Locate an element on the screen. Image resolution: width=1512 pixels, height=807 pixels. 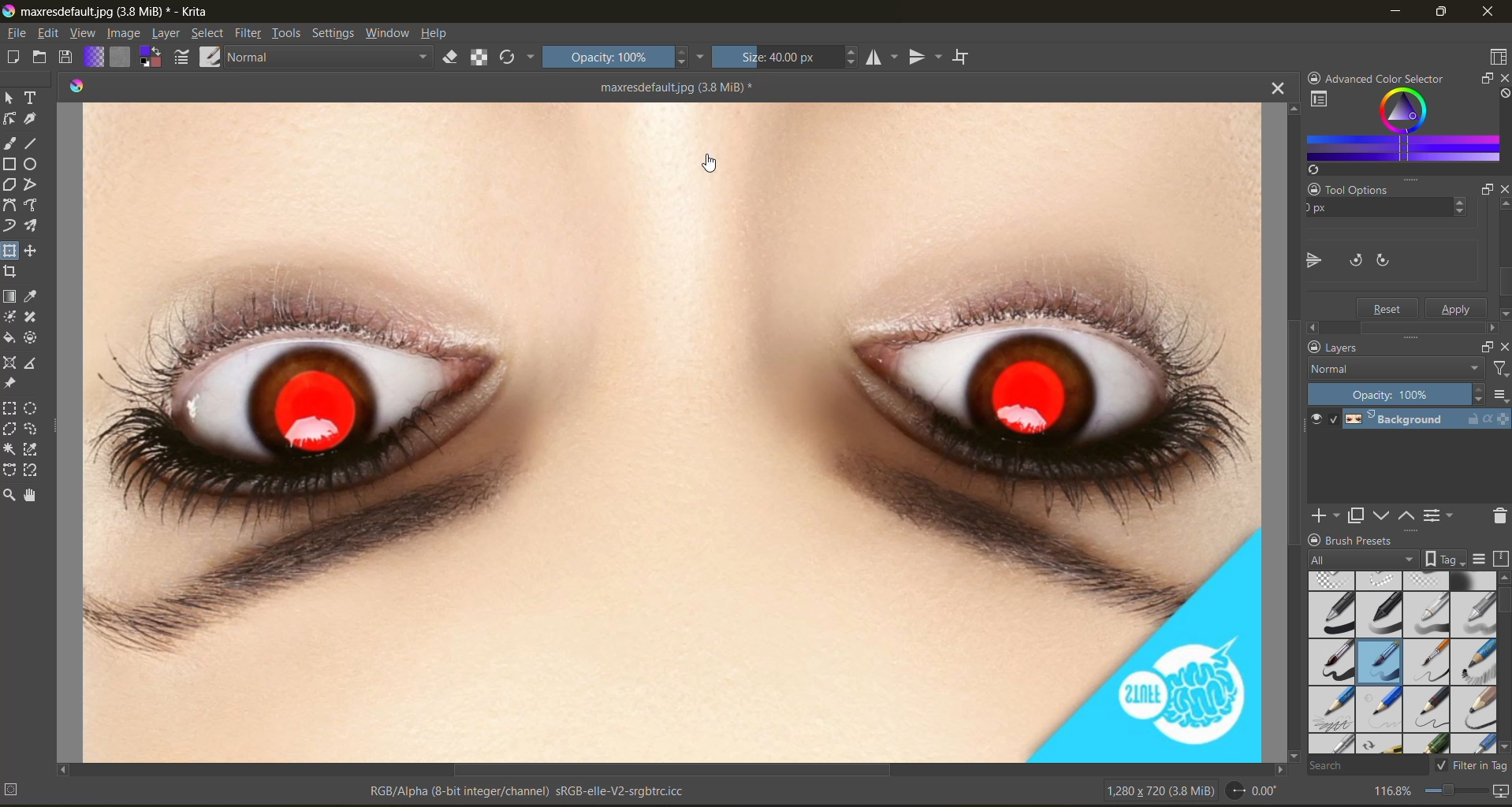
tool is located at coordinates (33, 407).